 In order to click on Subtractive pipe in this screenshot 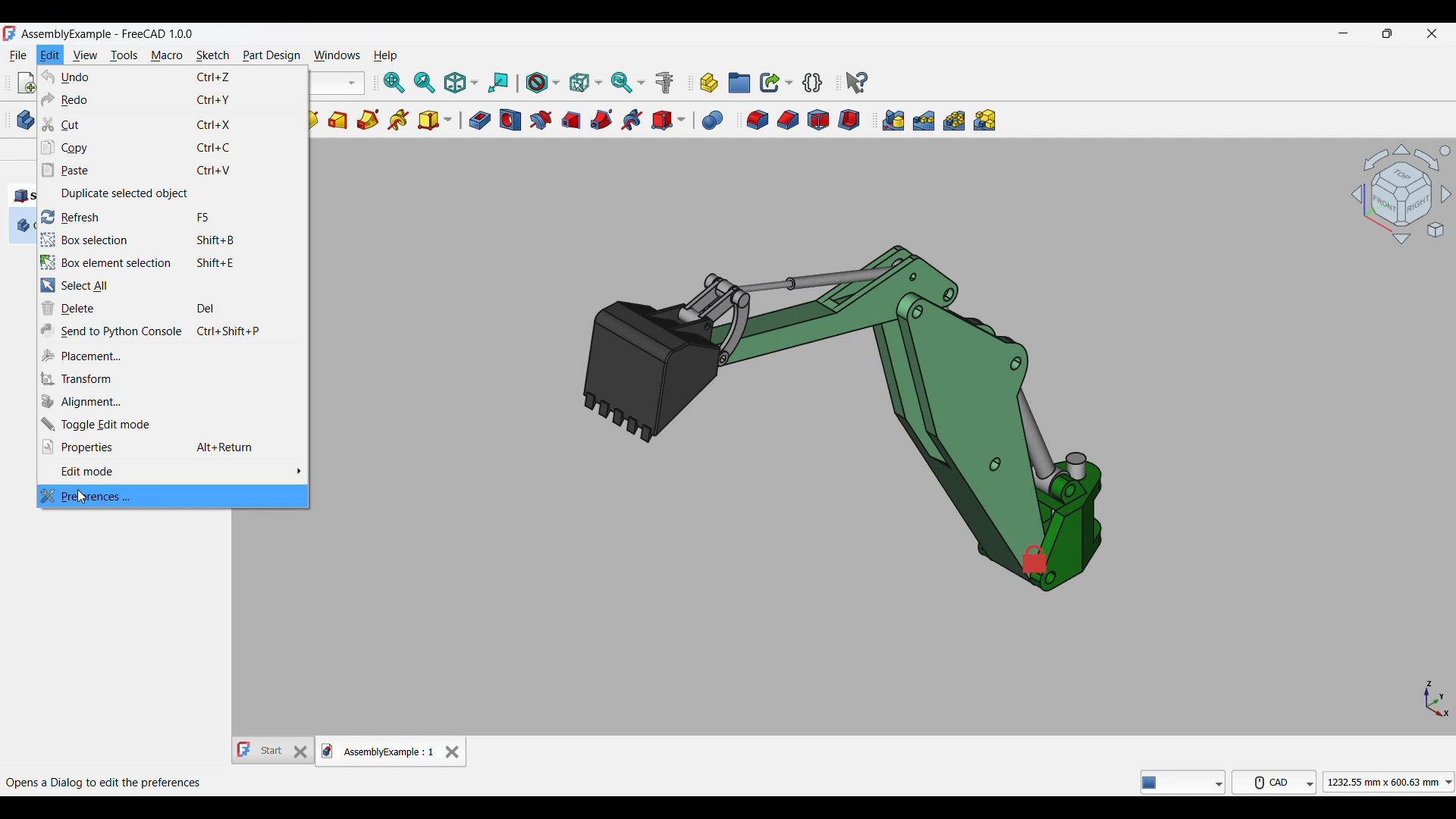, I will do `click(601, 120)`.